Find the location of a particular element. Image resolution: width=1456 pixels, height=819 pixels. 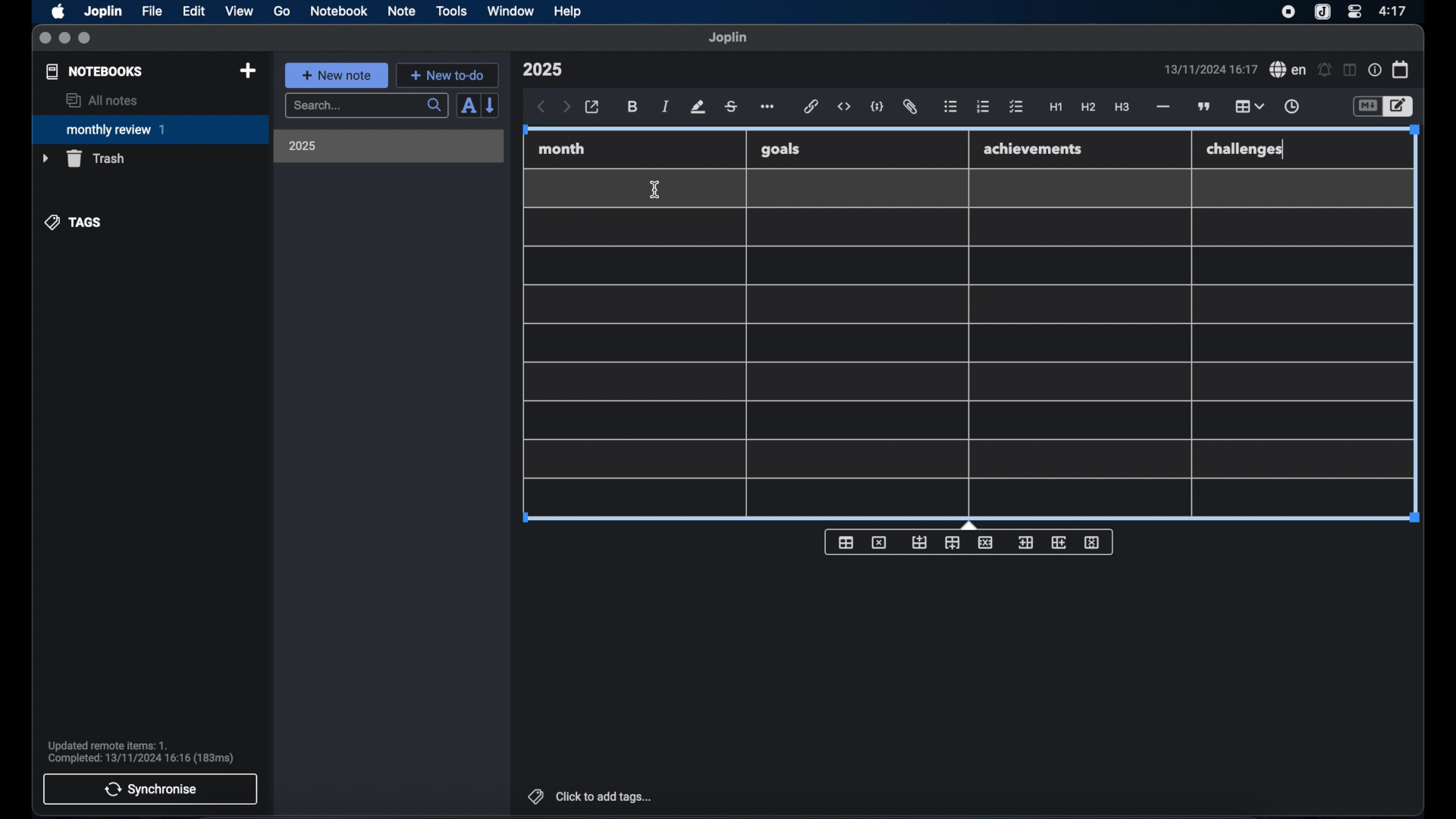

spel check is located at coordinates (1288, 70).